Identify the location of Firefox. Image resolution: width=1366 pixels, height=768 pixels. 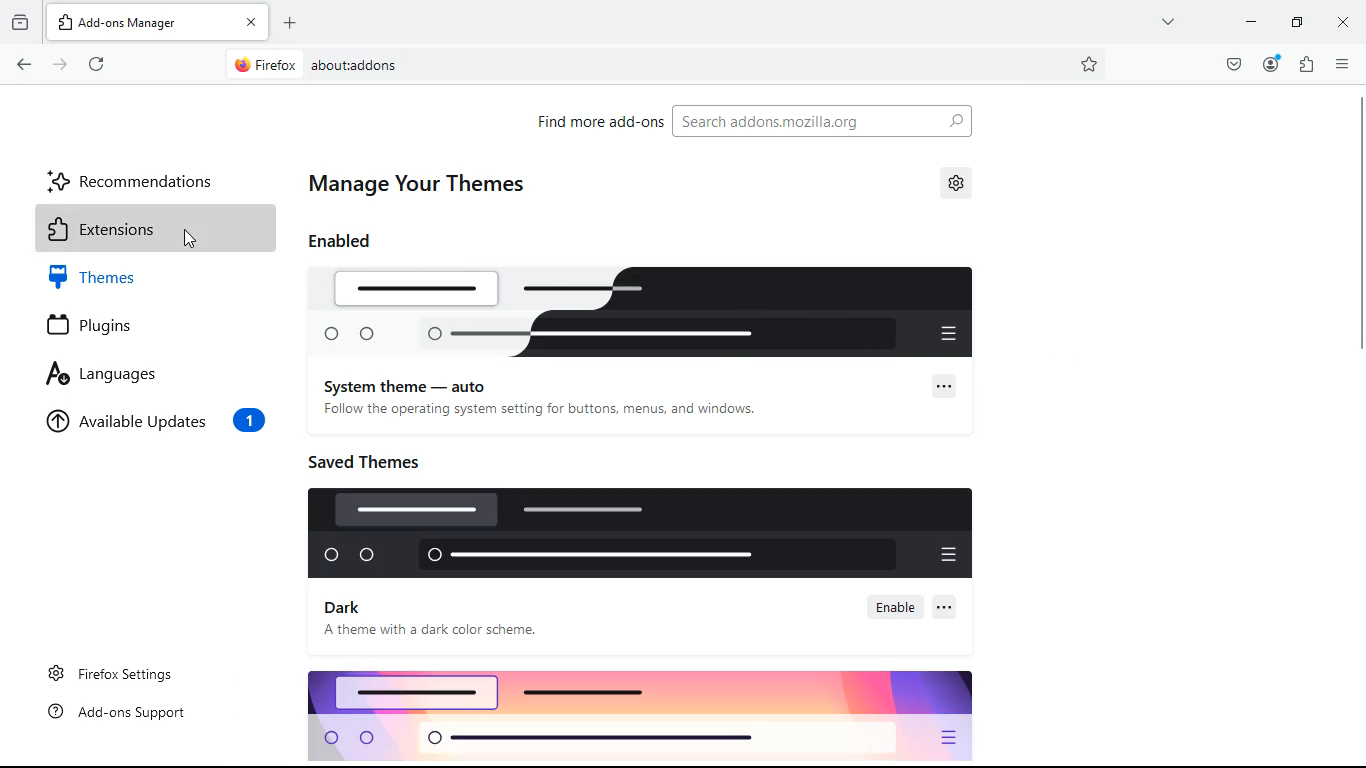
(266, 65).